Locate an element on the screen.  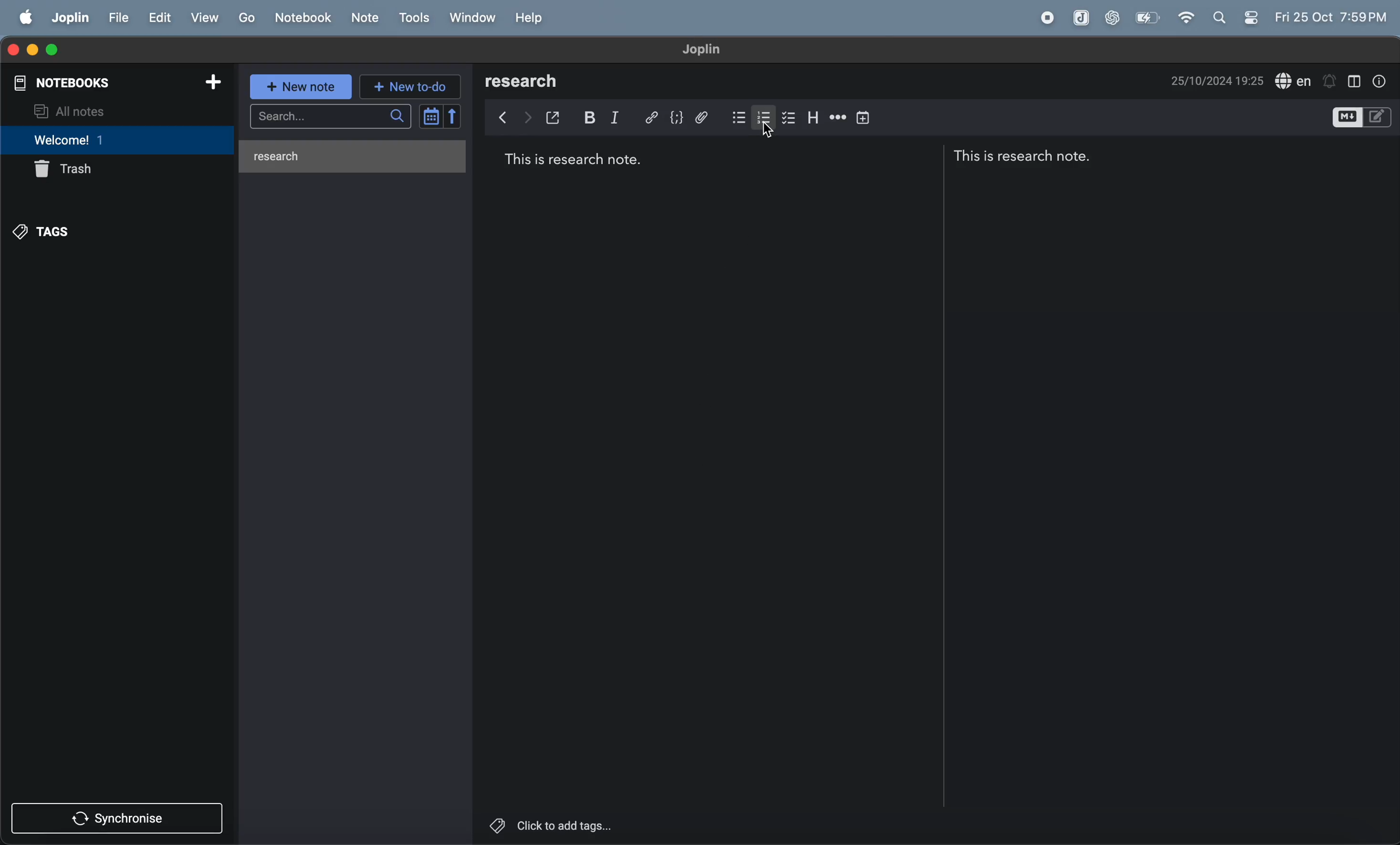
Search bar is located at coordinates (331, 116).